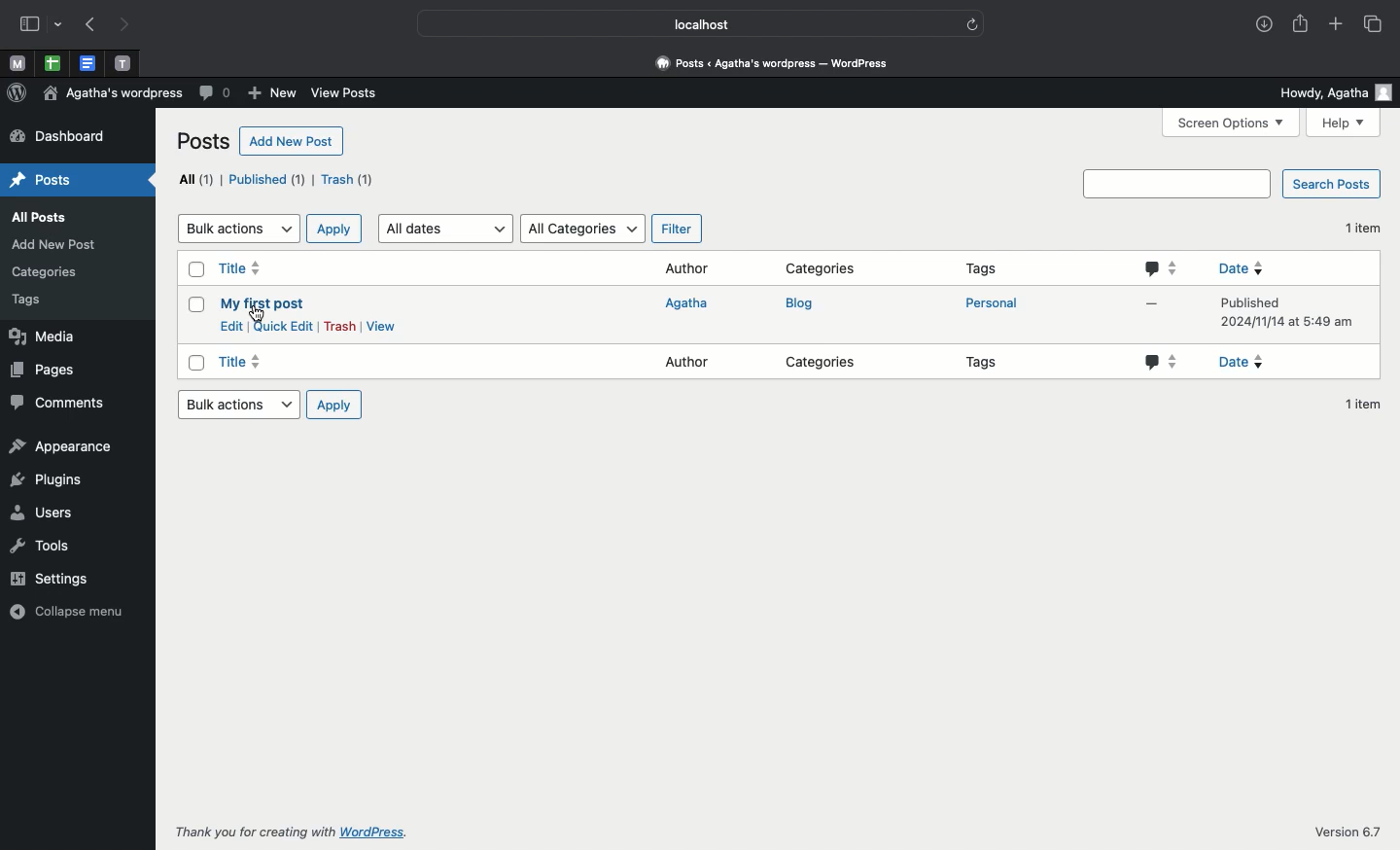 The width and height of the screenshot is (1400, 850). Describe the element at coordinates (289, 143) in the screenshot. I see `Add new post` at that location.